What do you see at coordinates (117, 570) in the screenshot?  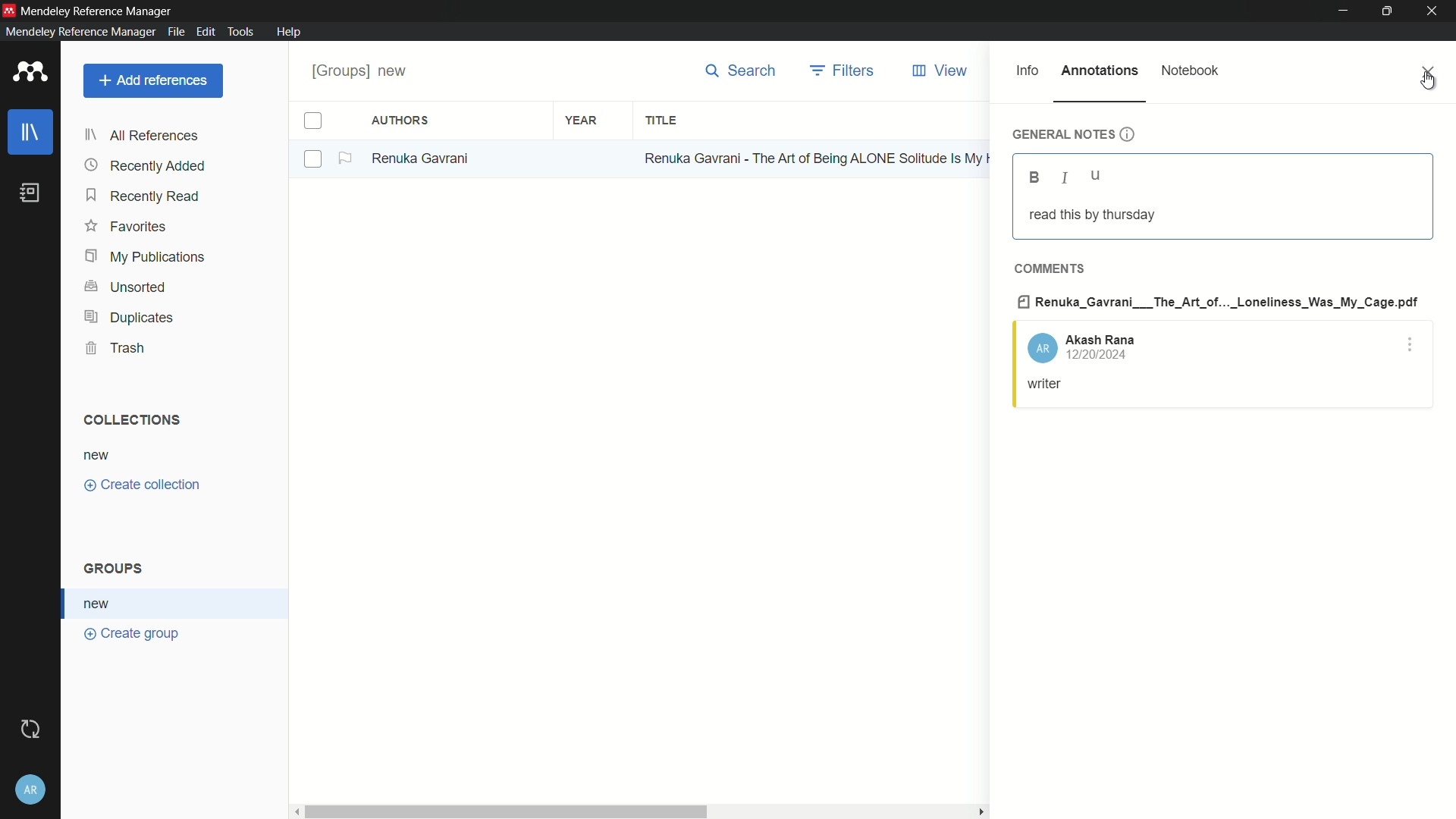 I see `groups` at bounding box center [117, 570].